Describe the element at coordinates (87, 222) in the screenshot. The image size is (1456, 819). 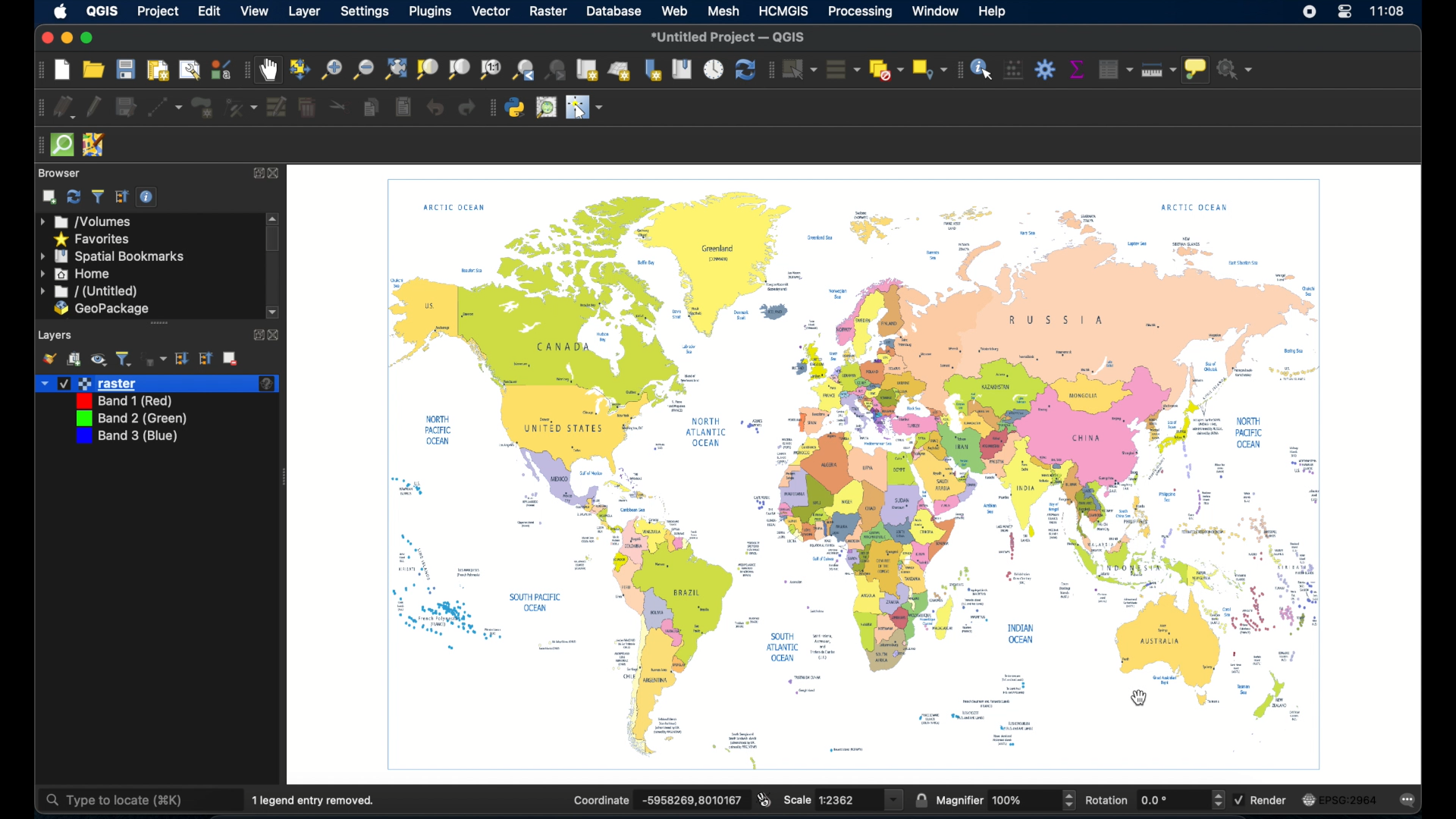
I see `volumes` at that location.